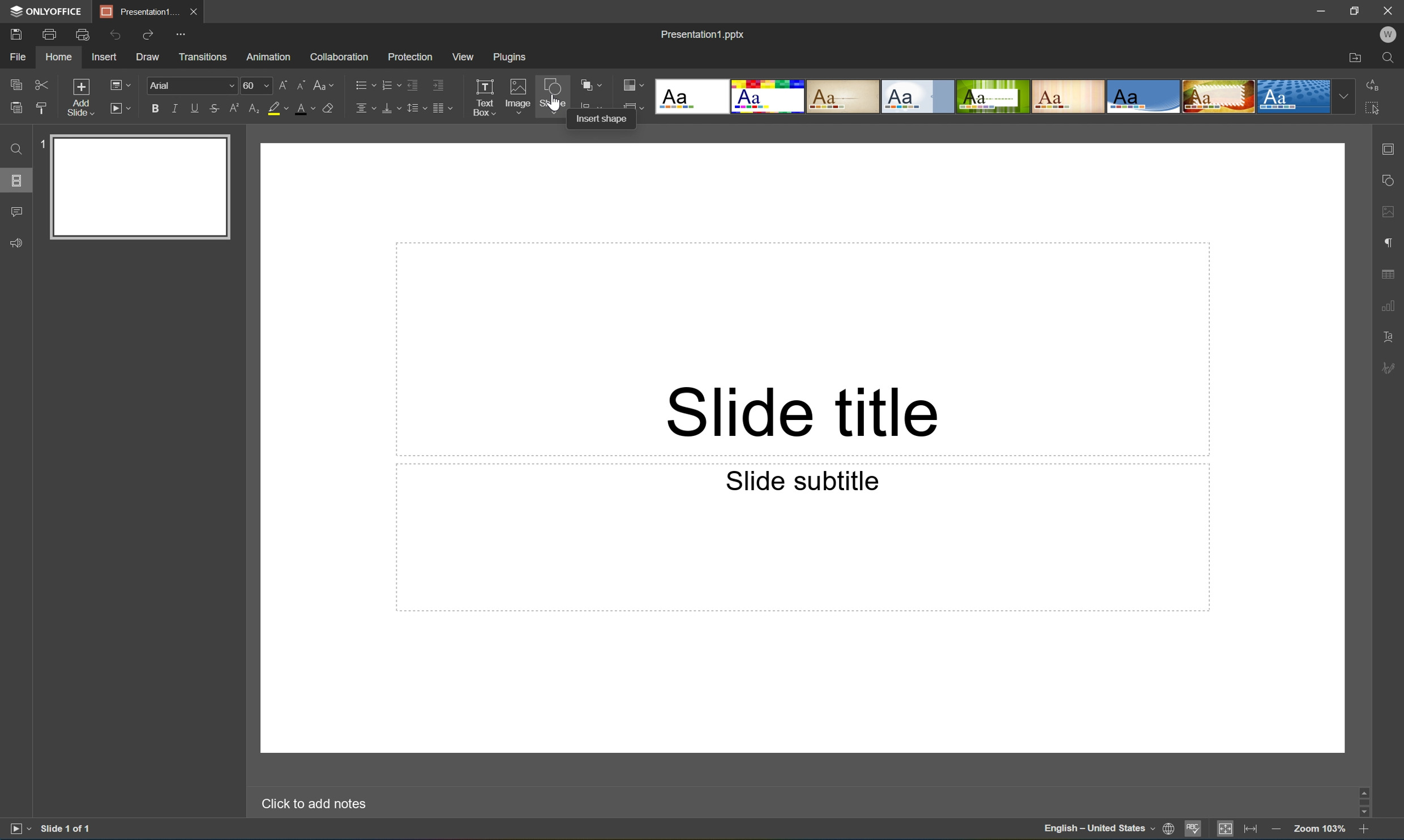 This screenshot has height=840, width=1404. Describe the element at coordinates (106, 58) in the screenshot. I see `Insert` at that location.